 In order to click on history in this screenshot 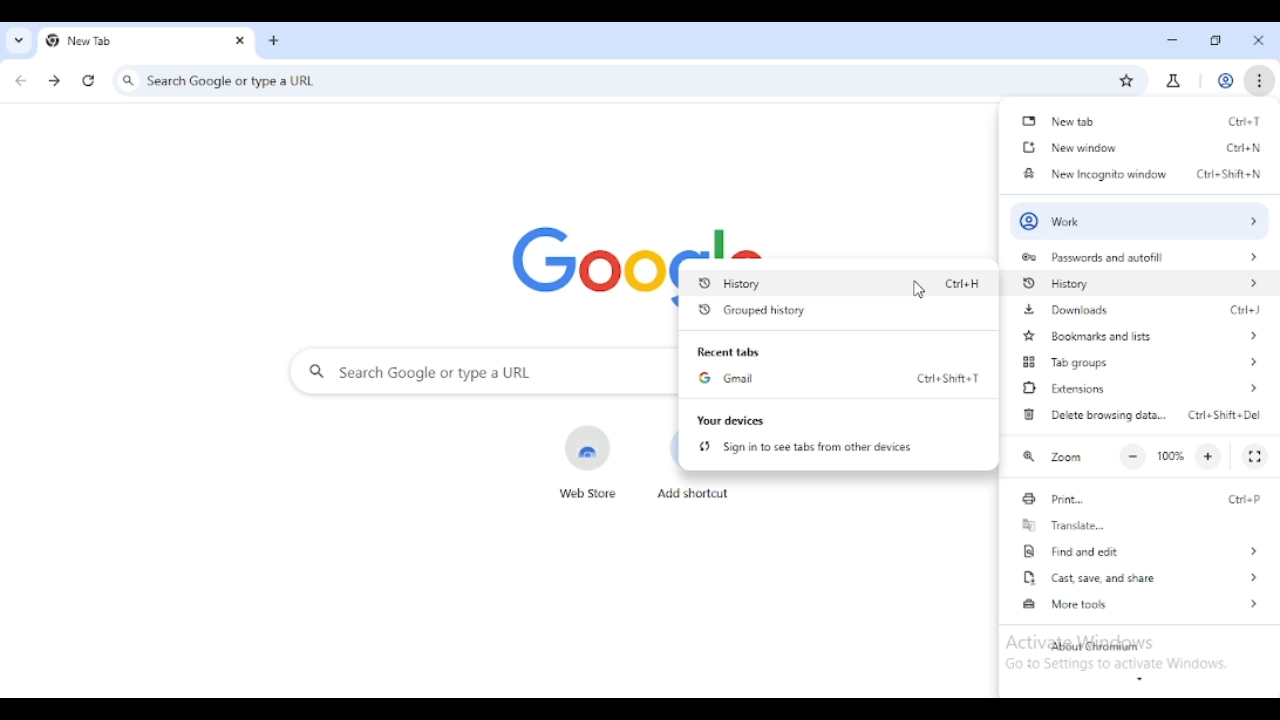, I will do `click(1137, 283)`.